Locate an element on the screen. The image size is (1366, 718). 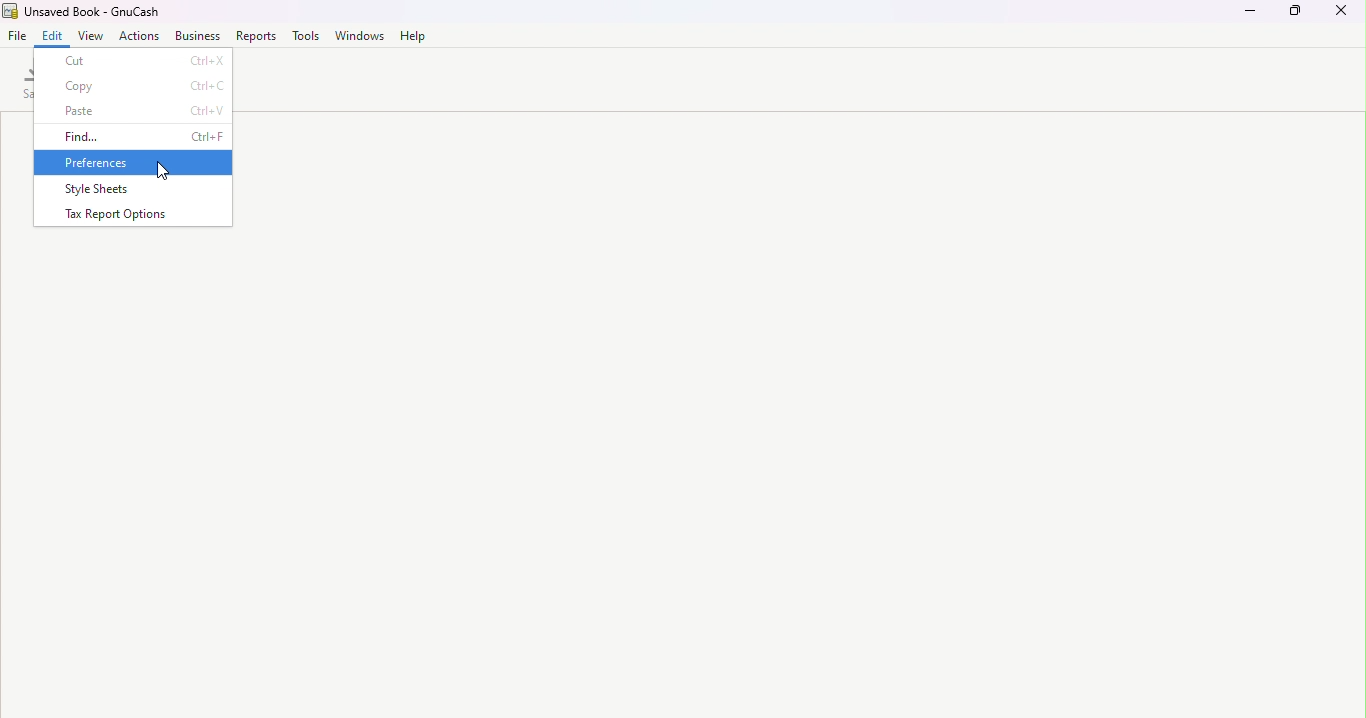
file name is located at coordinates (82, 12).